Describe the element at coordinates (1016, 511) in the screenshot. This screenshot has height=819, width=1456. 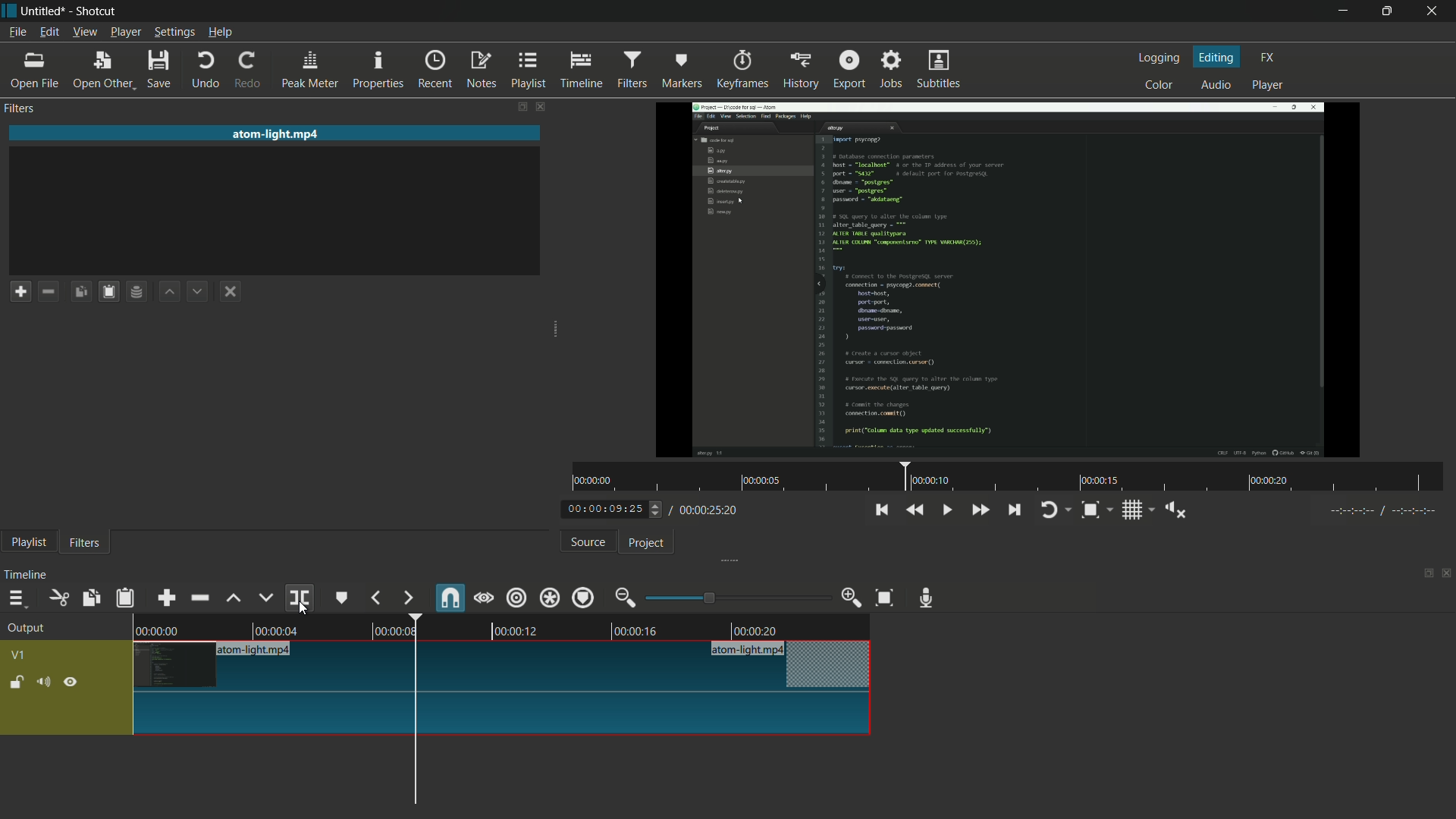
I see `skip to the next point` at that location.